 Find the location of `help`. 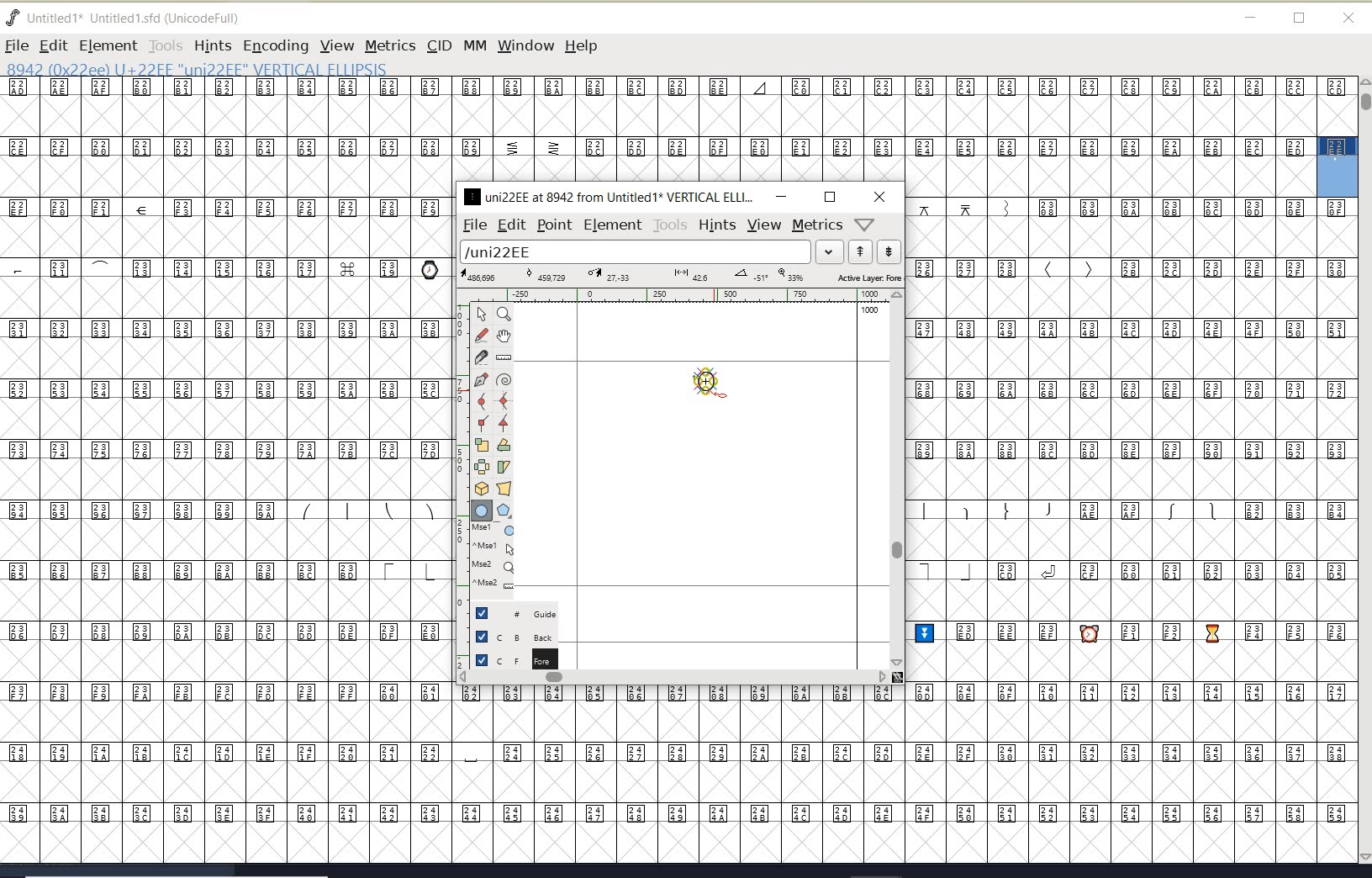

help is located at coordinates (584, 47).